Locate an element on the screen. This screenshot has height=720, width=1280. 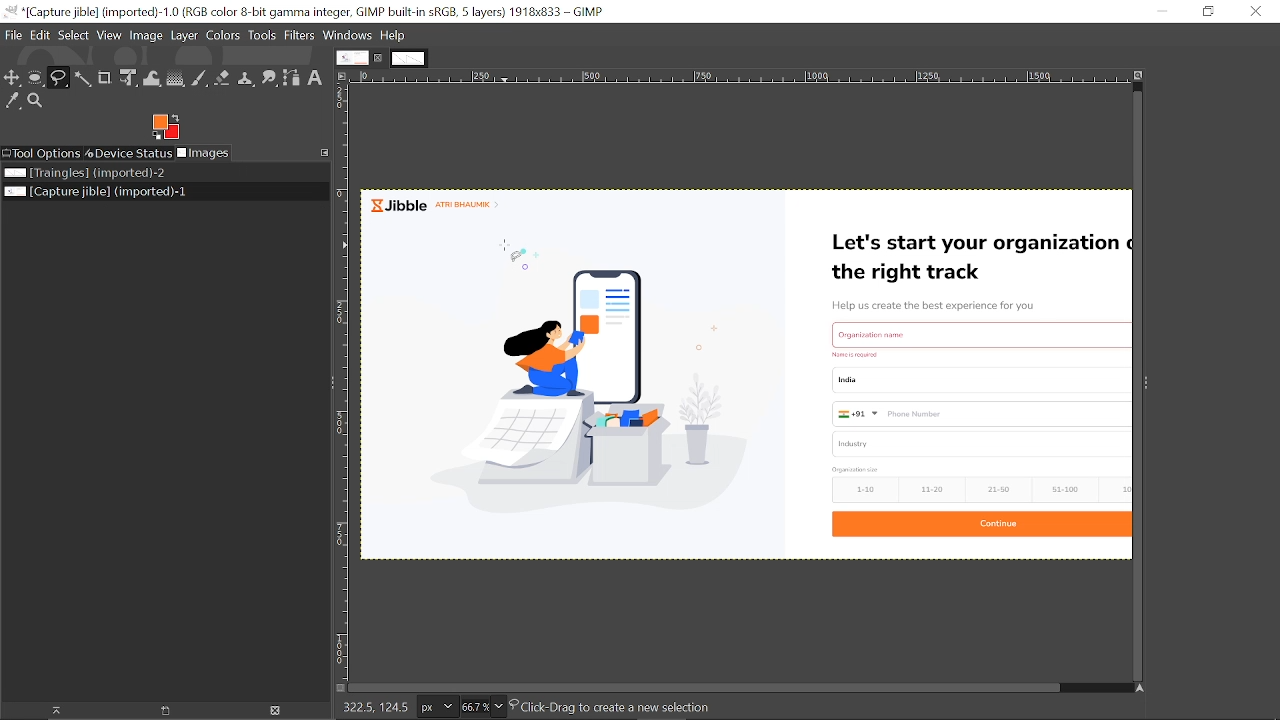
Crop tool is located at coordinates (105, 77).